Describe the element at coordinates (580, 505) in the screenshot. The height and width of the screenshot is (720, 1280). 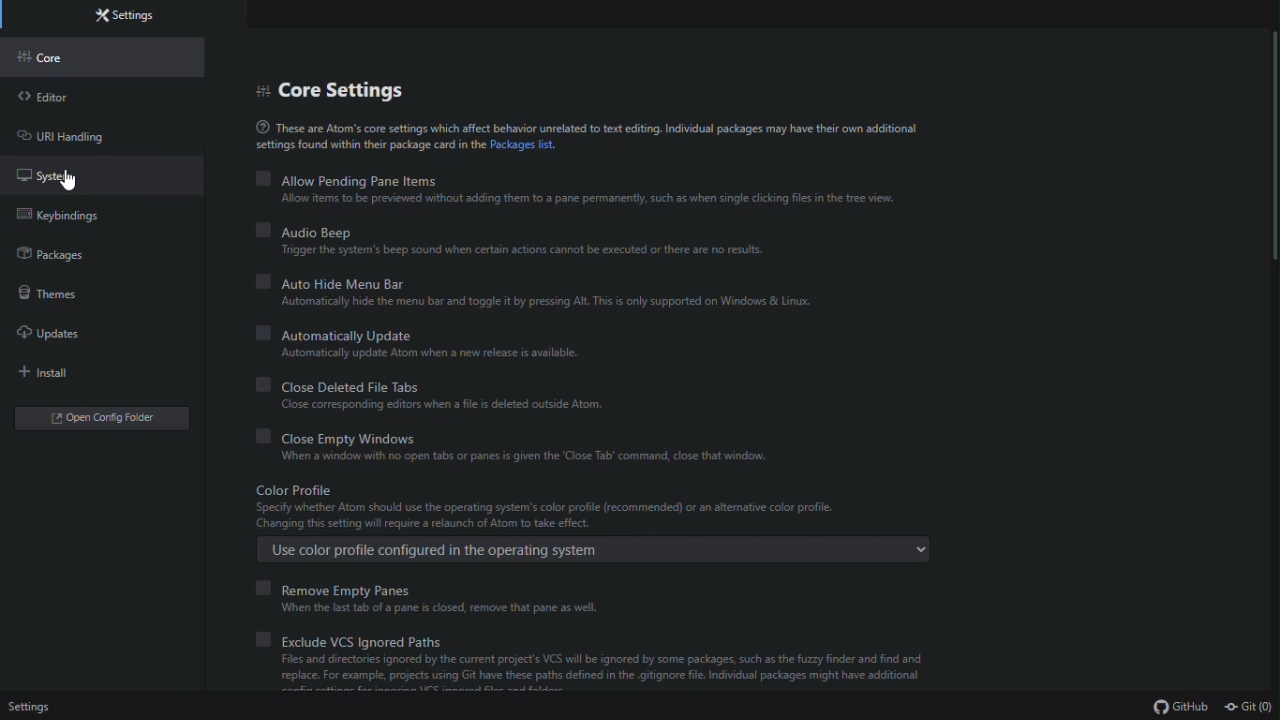
I see `Color Profile Specify whether Atom should use the operating system’ color profile (recommended) or an alternative color profile Changing this setting will require a relaunch of Atom o take effect.` at that location.